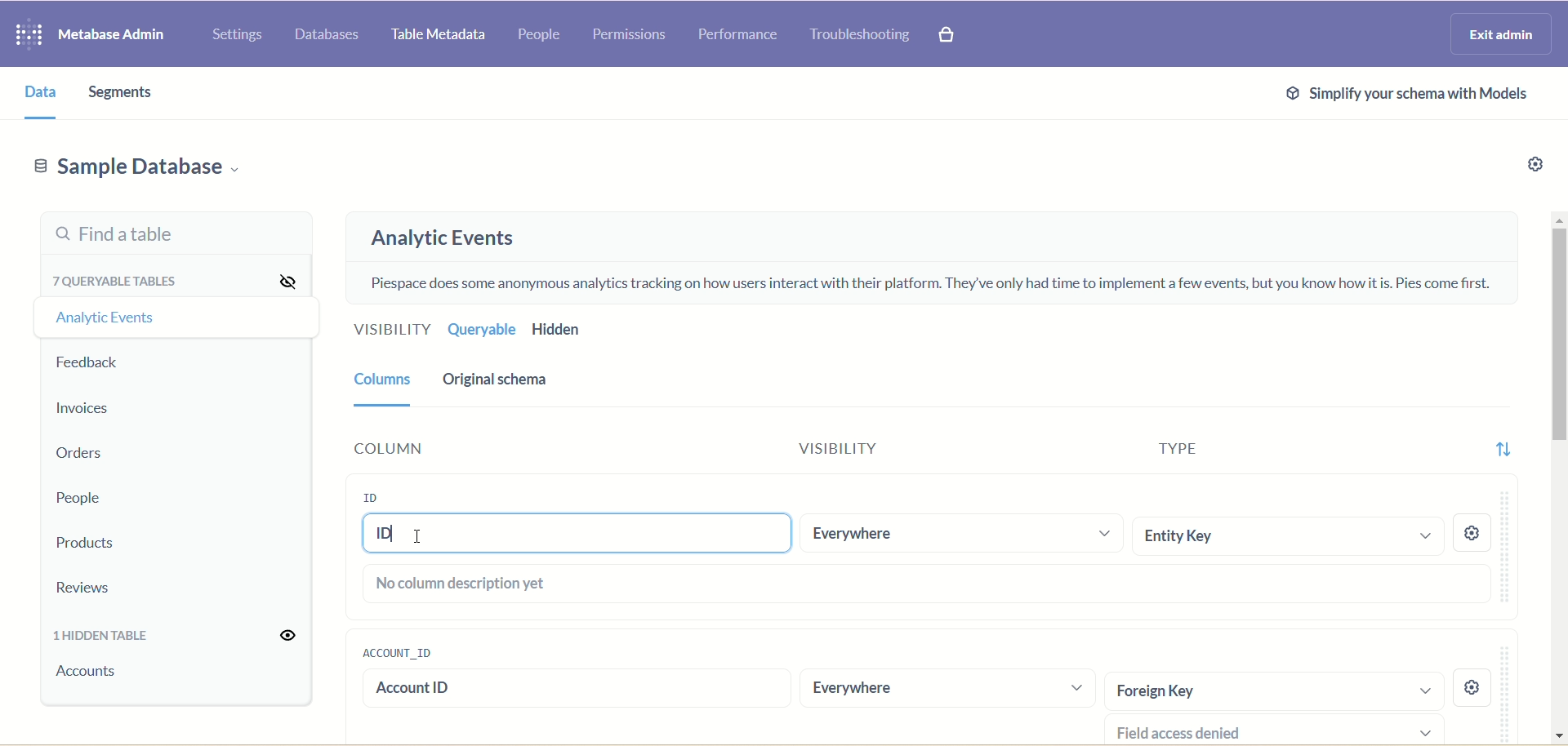  I want to click on No columns description, so click(927, 585).